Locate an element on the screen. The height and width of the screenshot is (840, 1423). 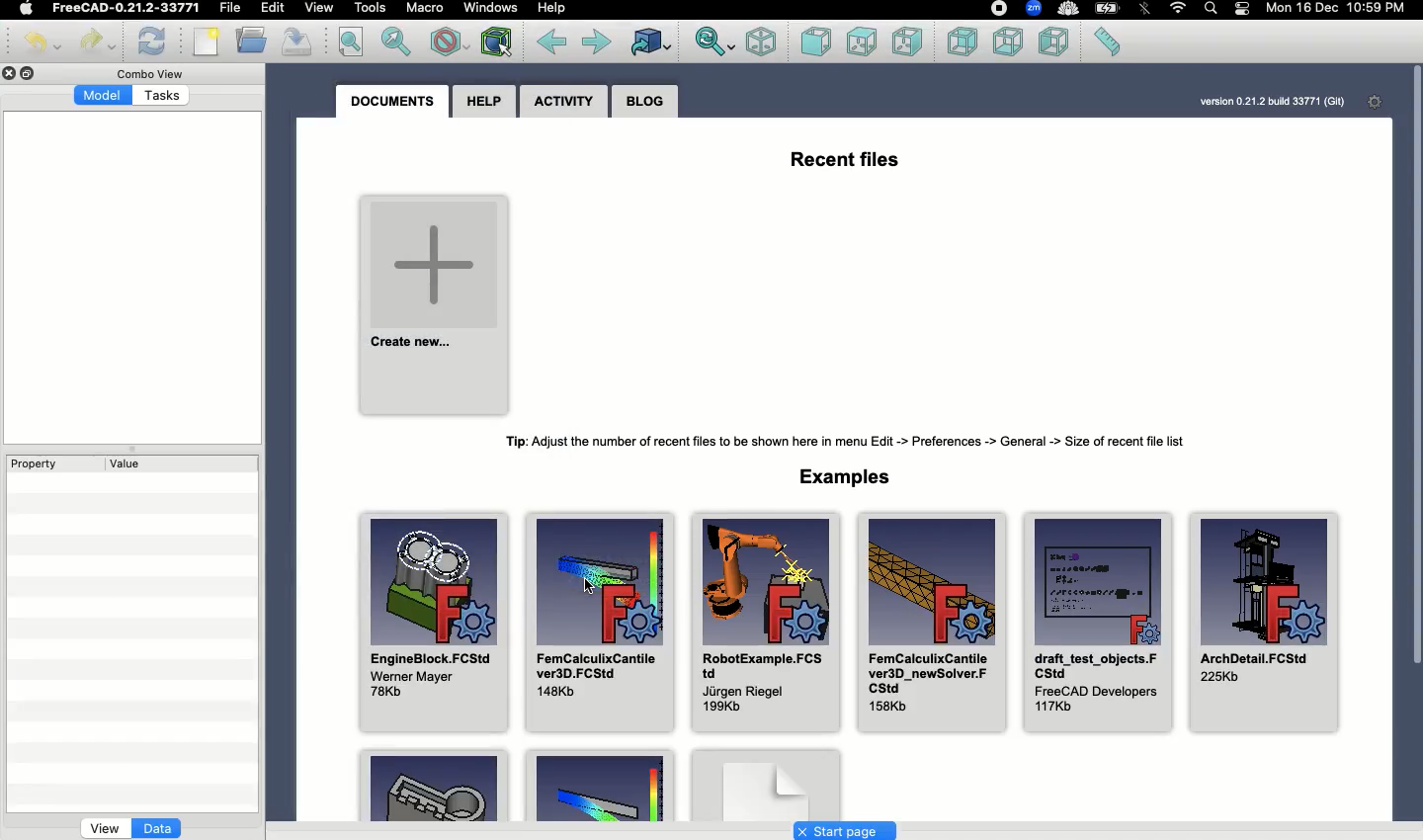
Undo is located at coordinates (42, 43).